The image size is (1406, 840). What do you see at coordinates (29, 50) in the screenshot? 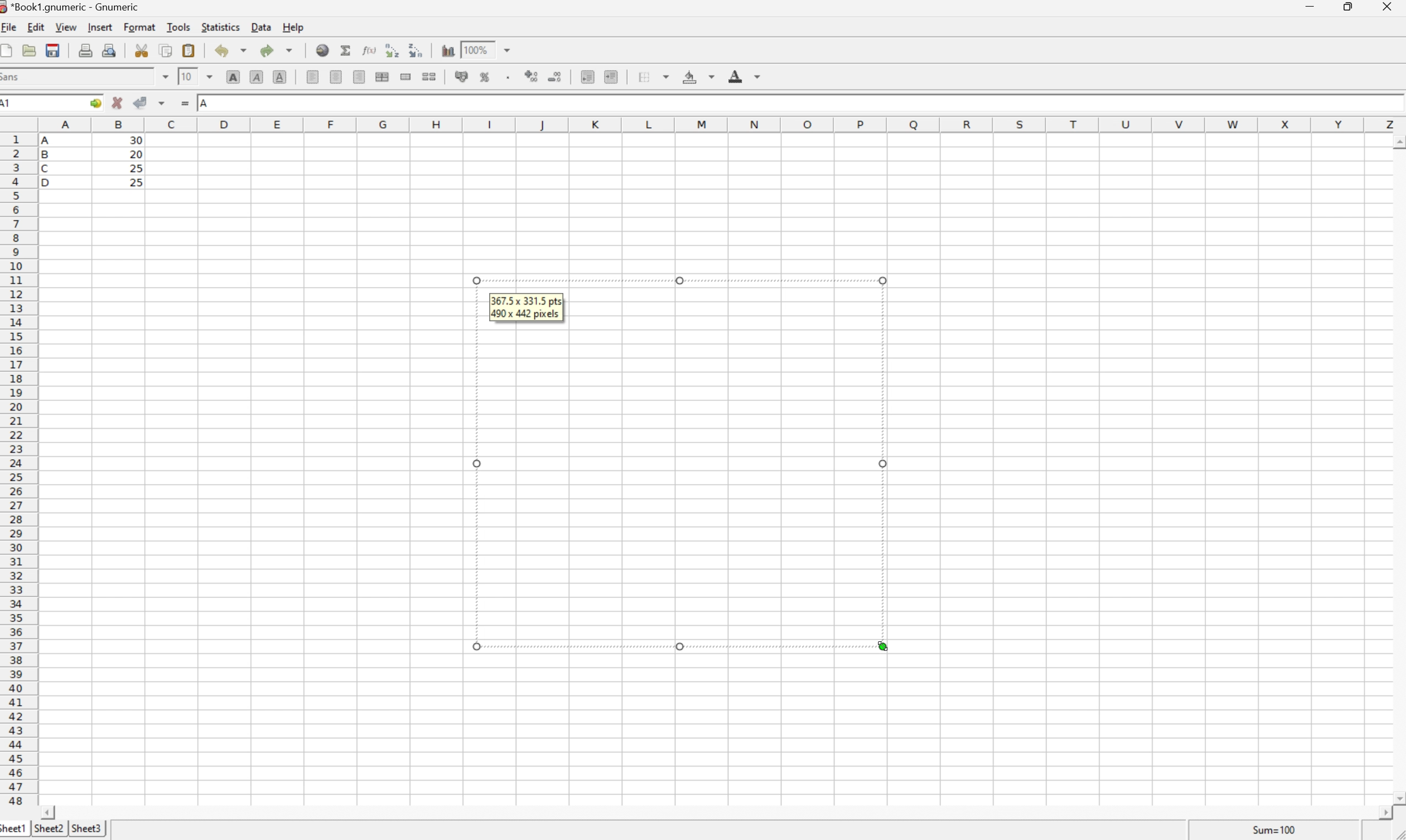
I see `Open a file` at bounding box center [29, 50].